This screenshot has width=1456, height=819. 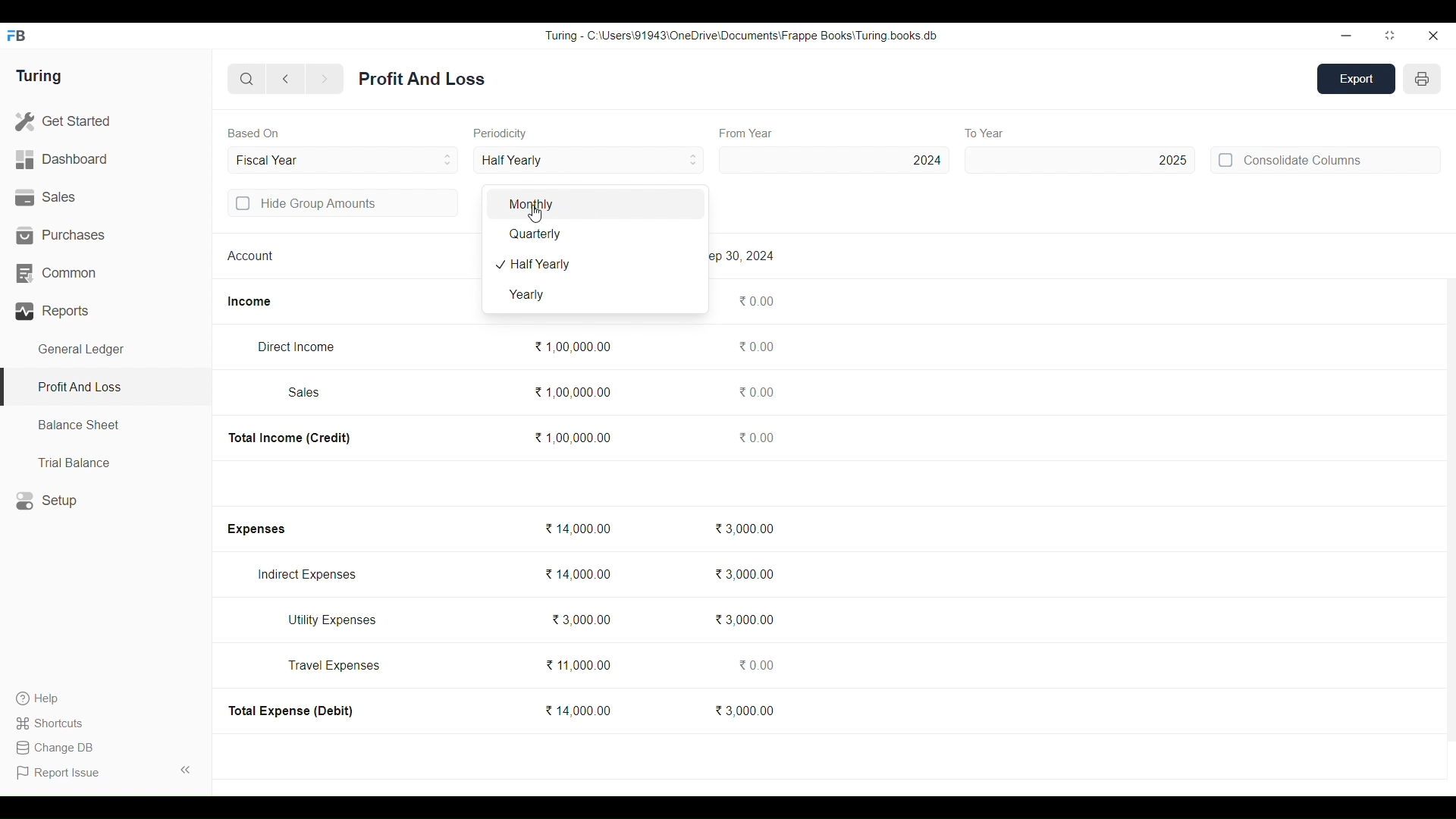 I want to click on Purchases, so click(x=106, y=235).